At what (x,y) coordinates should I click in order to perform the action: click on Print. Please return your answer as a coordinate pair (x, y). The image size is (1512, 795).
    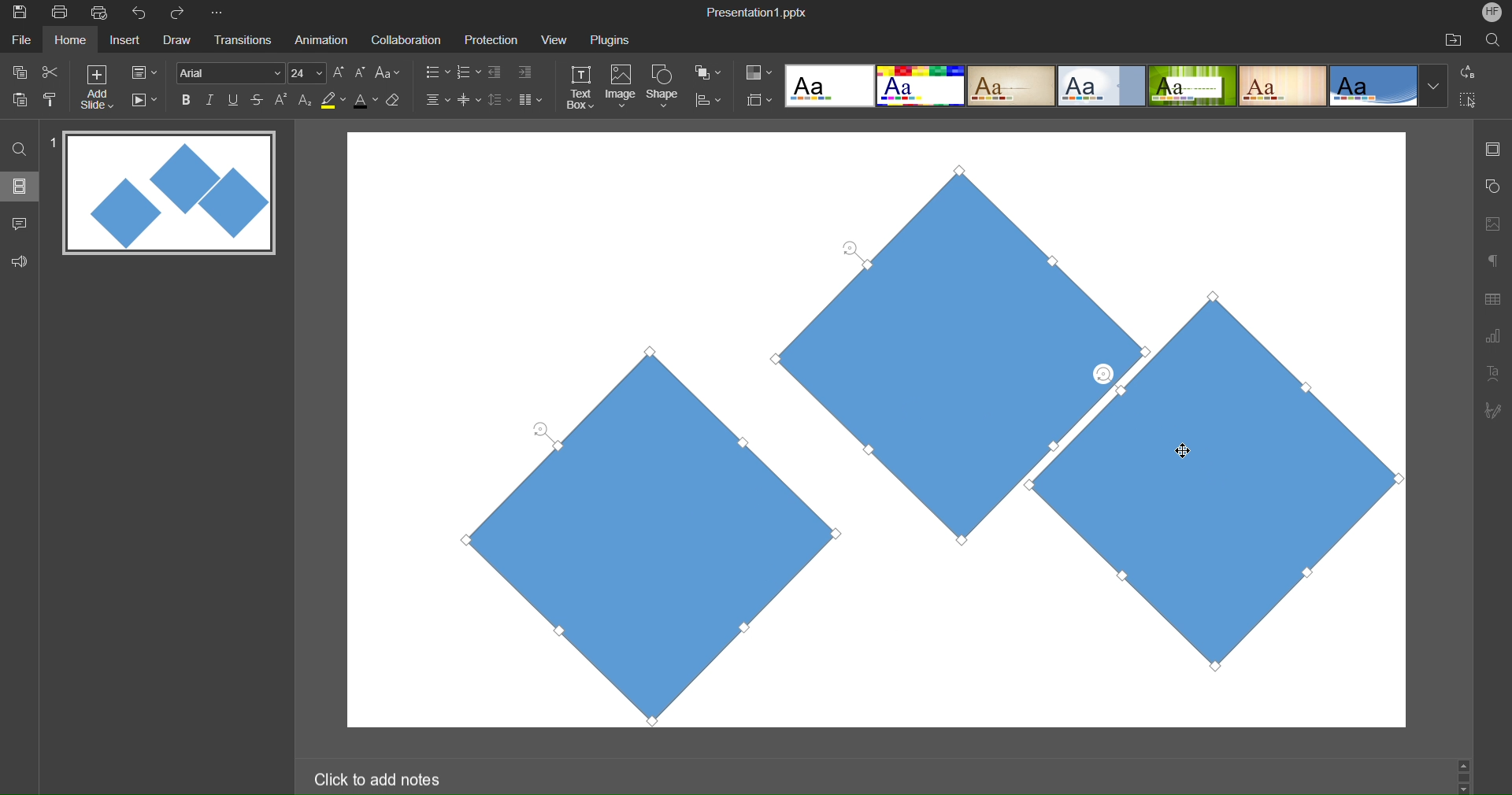
    Looking at the image, I should click on (59, 13).